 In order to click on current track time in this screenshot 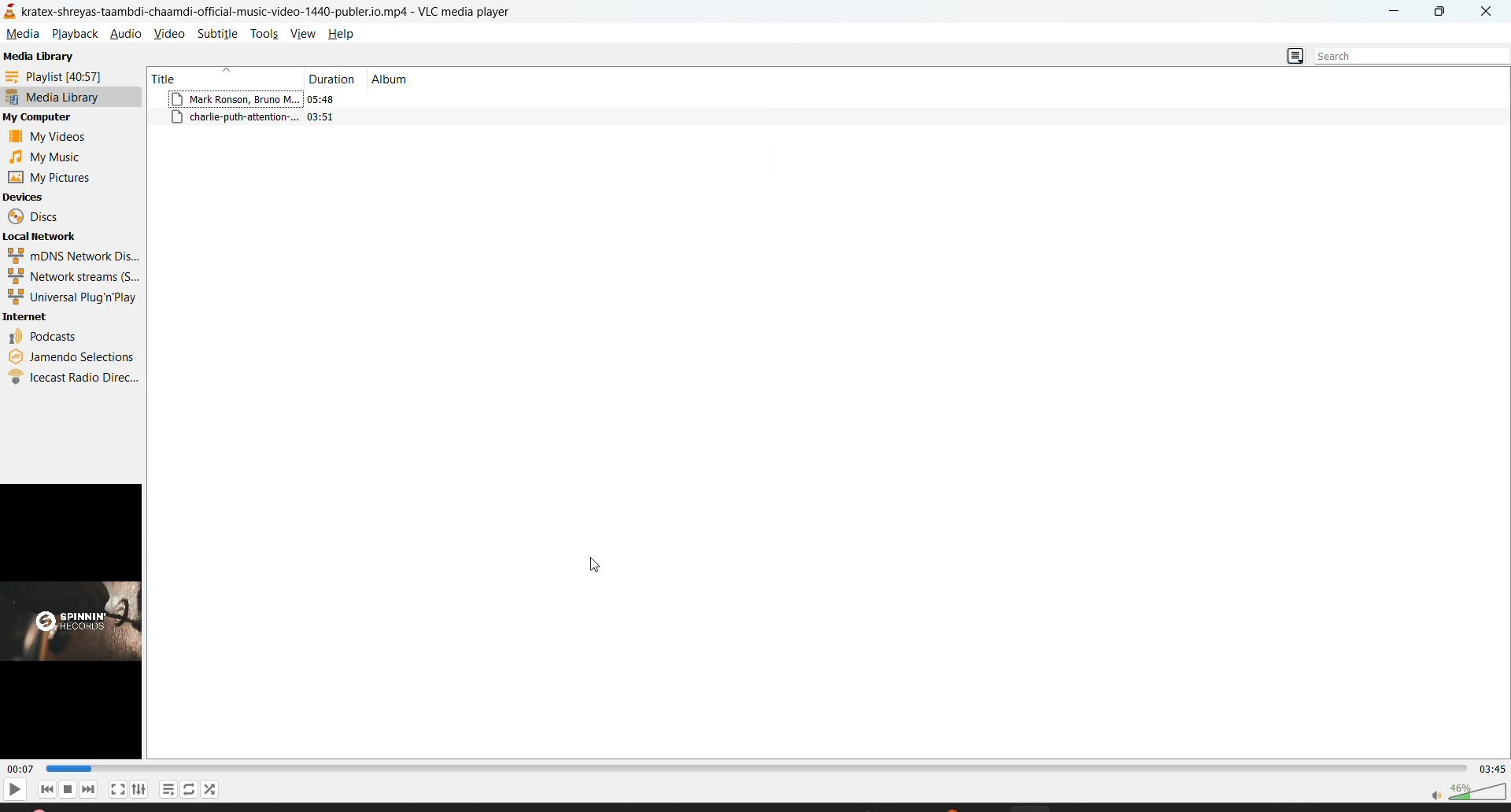, I will do `click(20, 770)`.